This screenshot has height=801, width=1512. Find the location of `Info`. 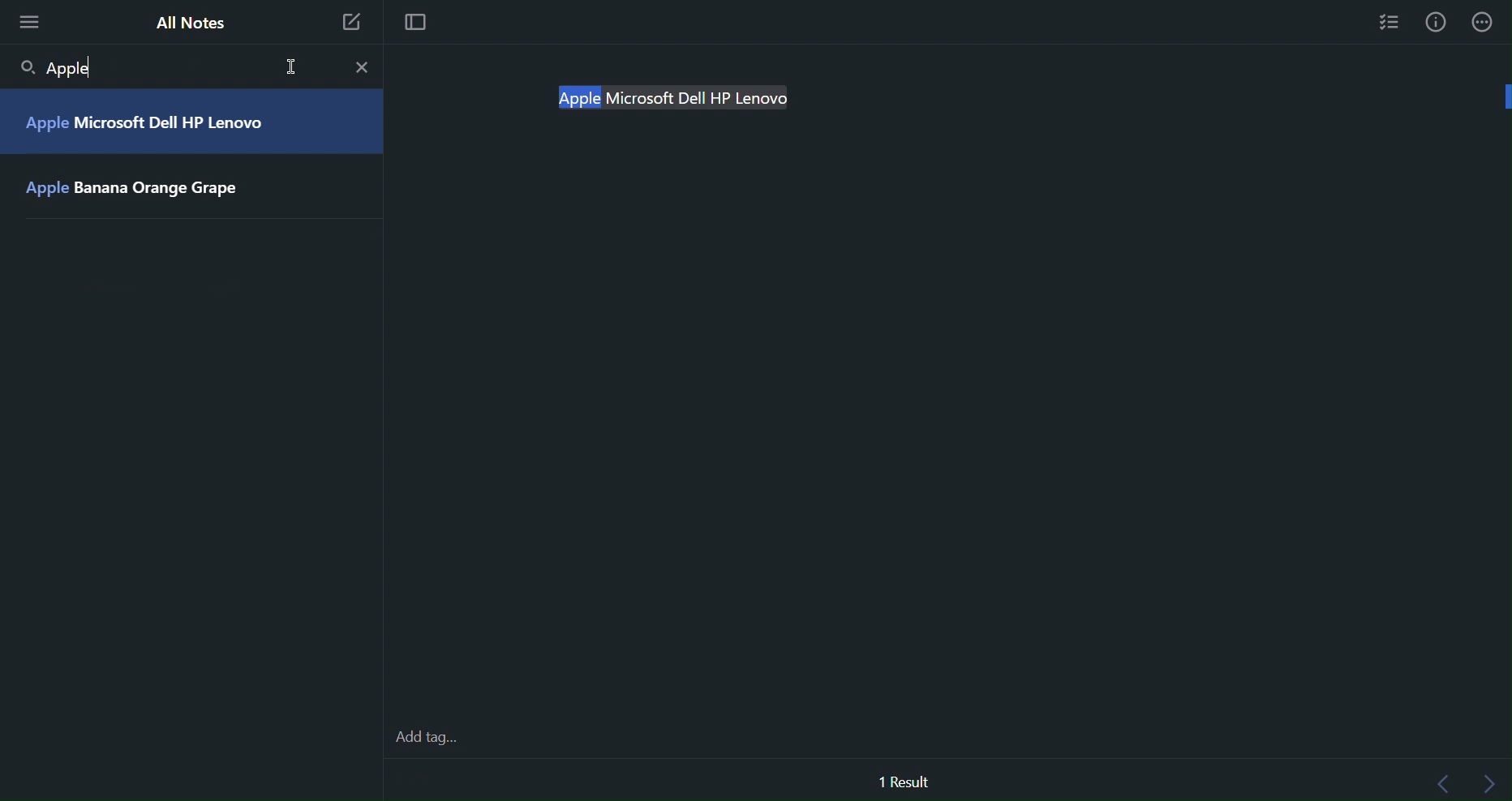

Info is located at coordinates (1441, 23).